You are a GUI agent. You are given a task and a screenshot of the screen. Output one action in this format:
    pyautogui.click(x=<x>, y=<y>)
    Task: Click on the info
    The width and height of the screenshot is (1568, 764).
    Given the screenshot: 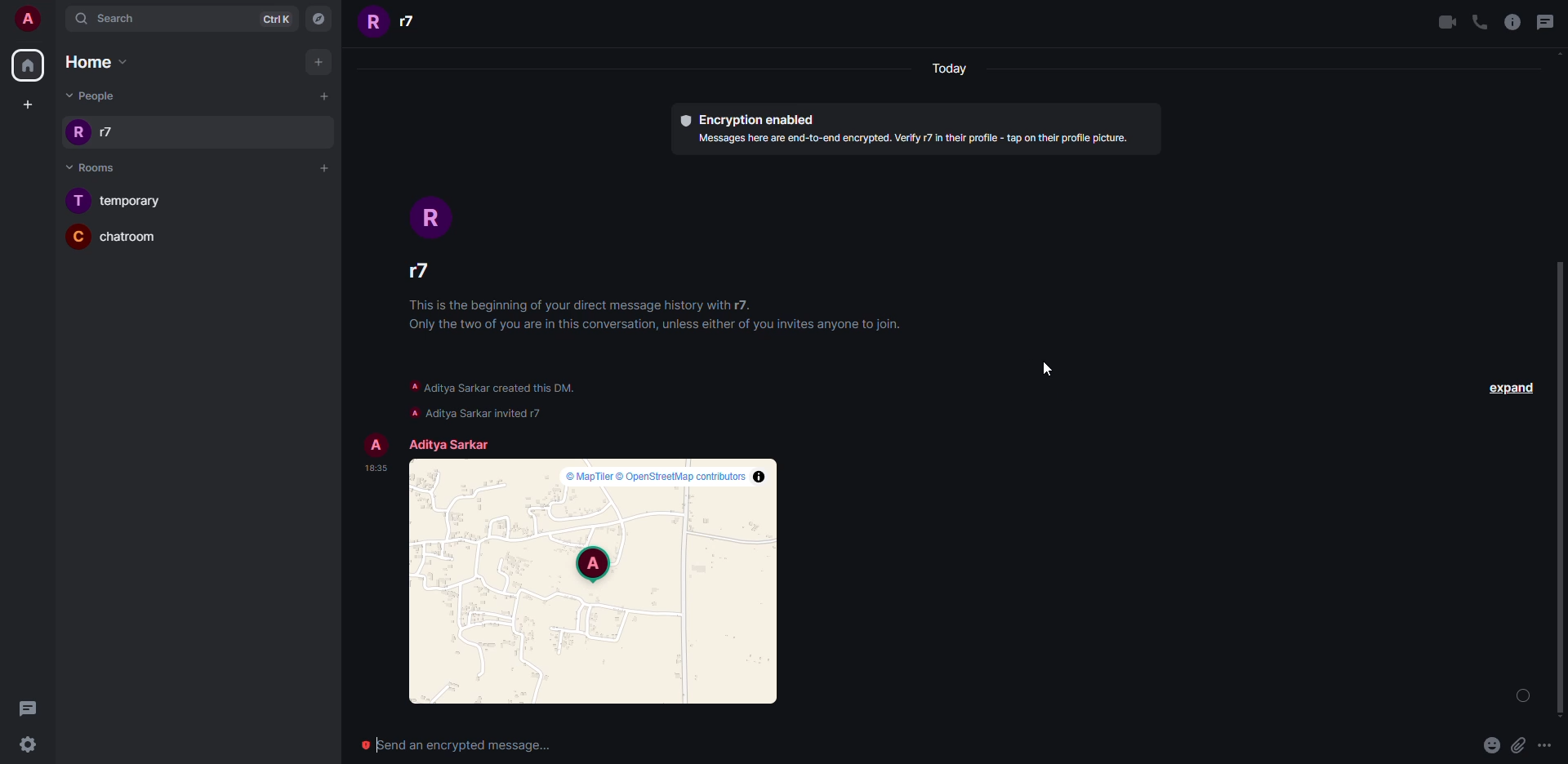 What is the action you would take?
    pyautogui.click(x=1512, y=22)
    